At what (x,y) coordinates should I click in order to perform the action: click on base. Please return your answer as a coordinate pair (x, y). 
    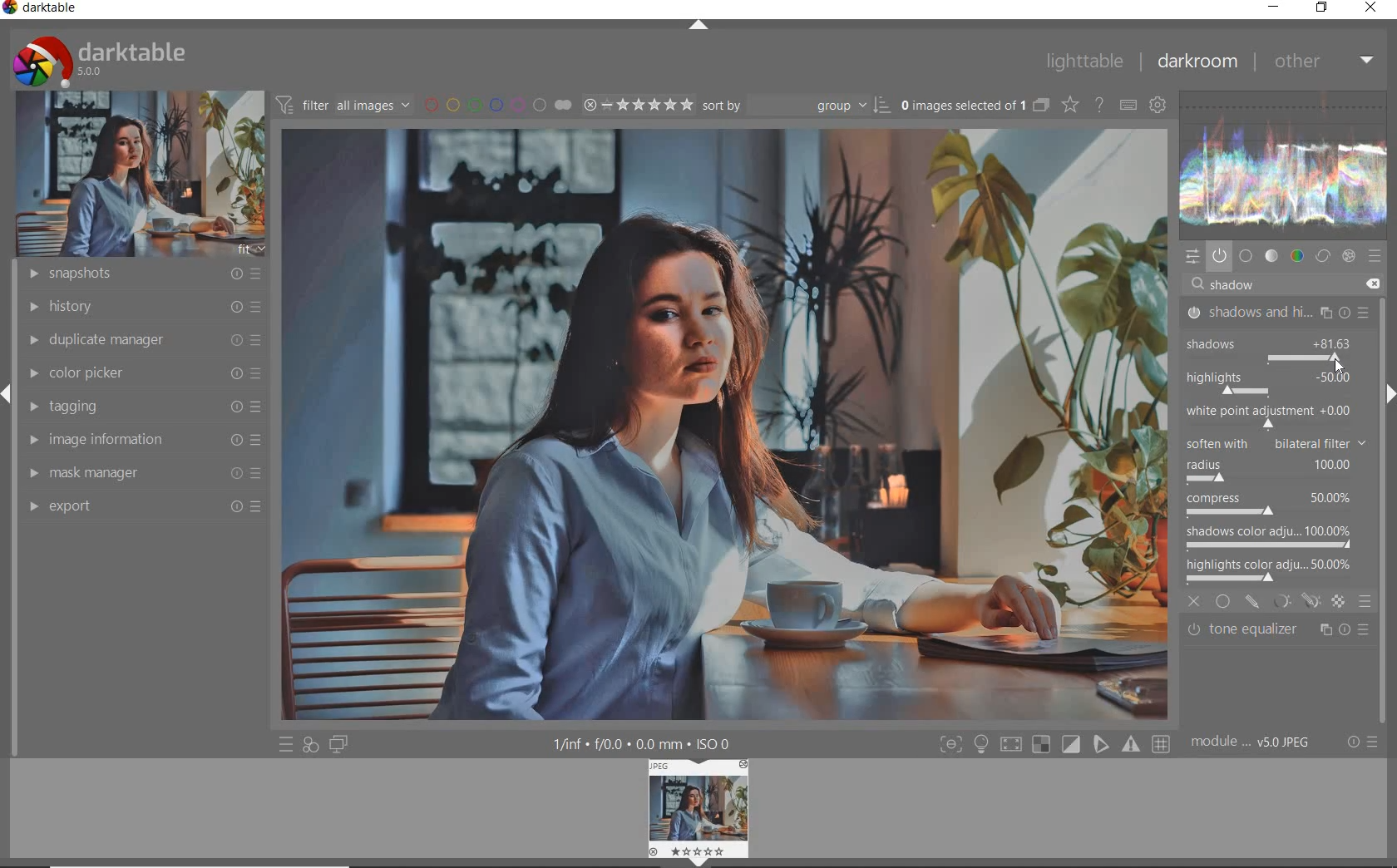
    Looking at the image, I should click on (1246, 255).